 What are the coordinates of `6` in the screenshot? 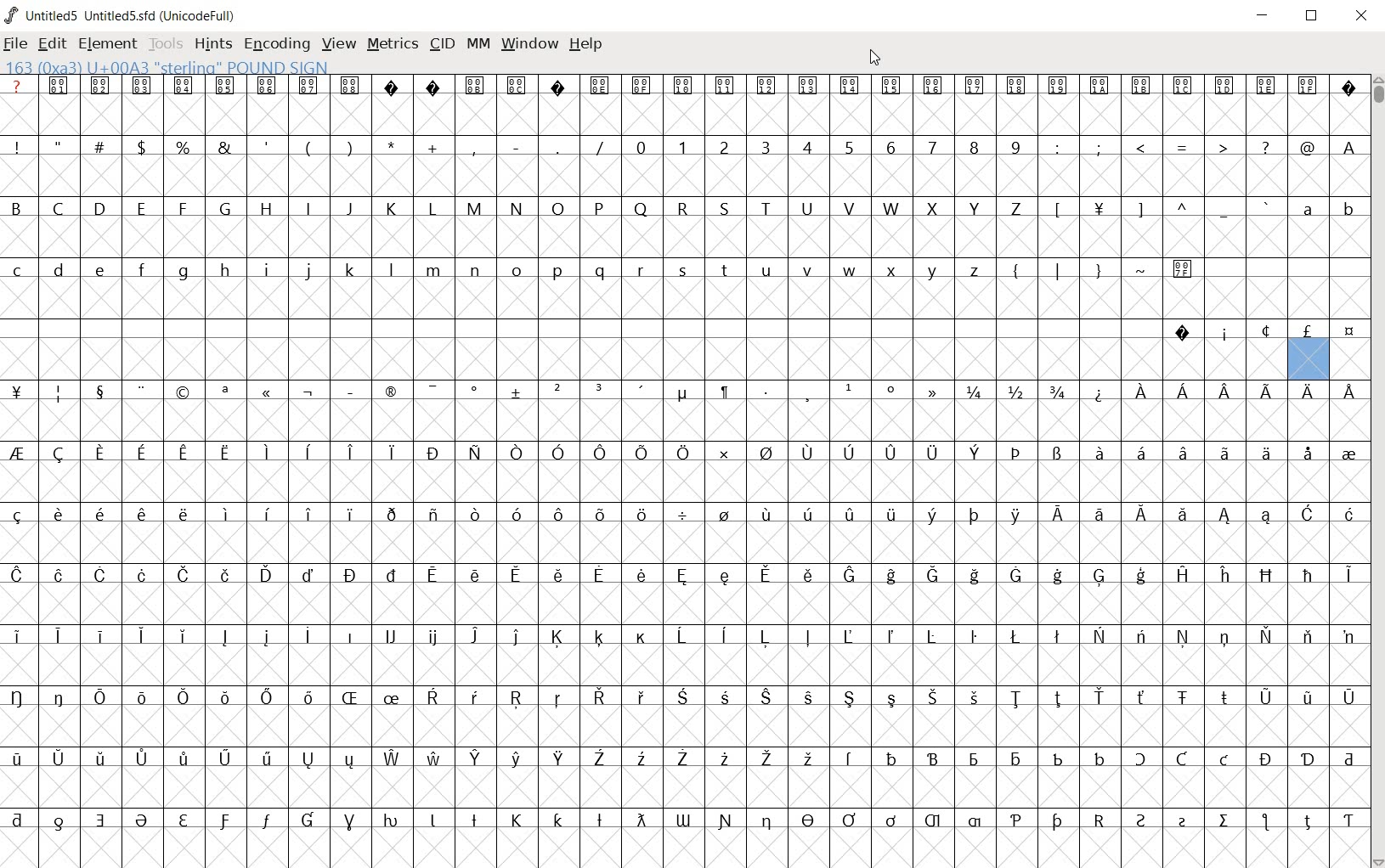 It's located at (890, 147).